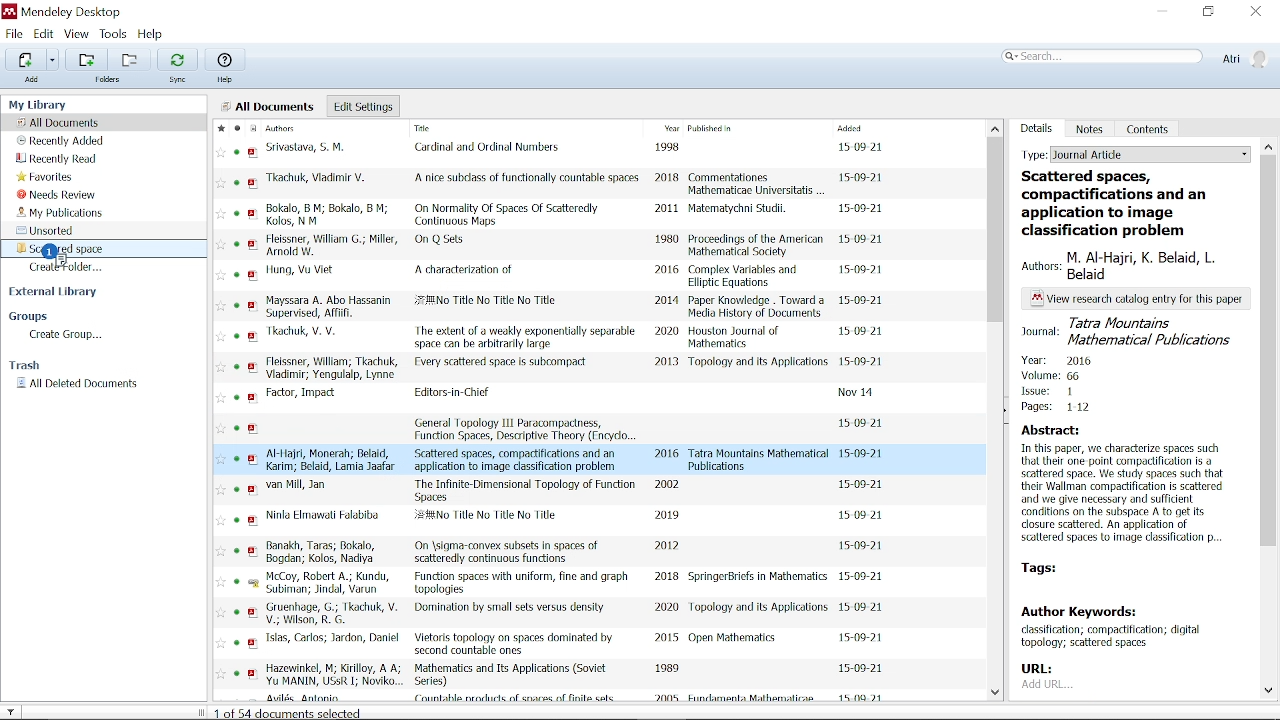 This screenshot has width=1280, height=720. I want to click on title, so click(523, 583).